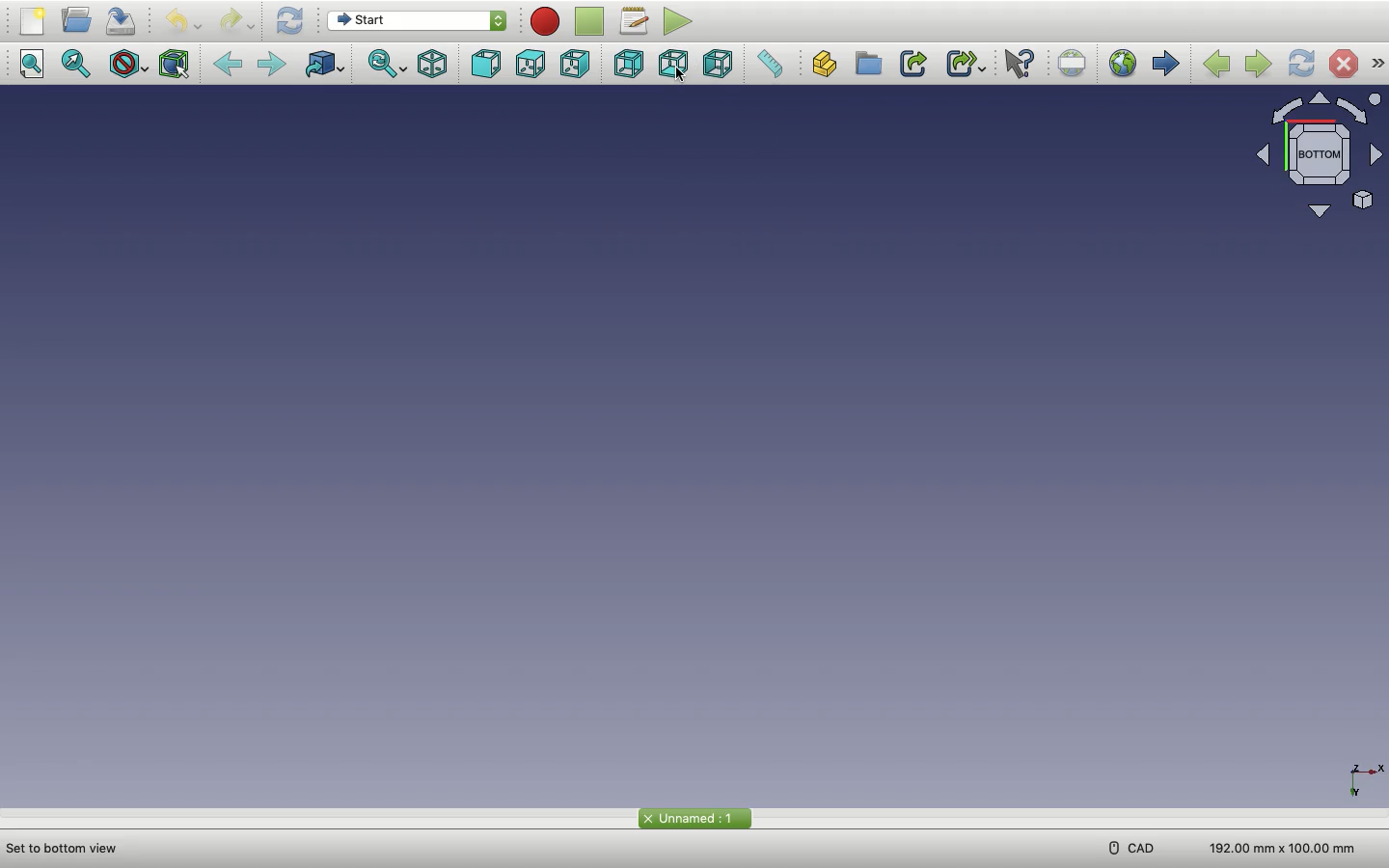 The height and width of the screenshot is (868, 1389). What do you see at coordinates (1124, 67) in the screenshot?
I see `Open website` at bounding box center [1124, 67].